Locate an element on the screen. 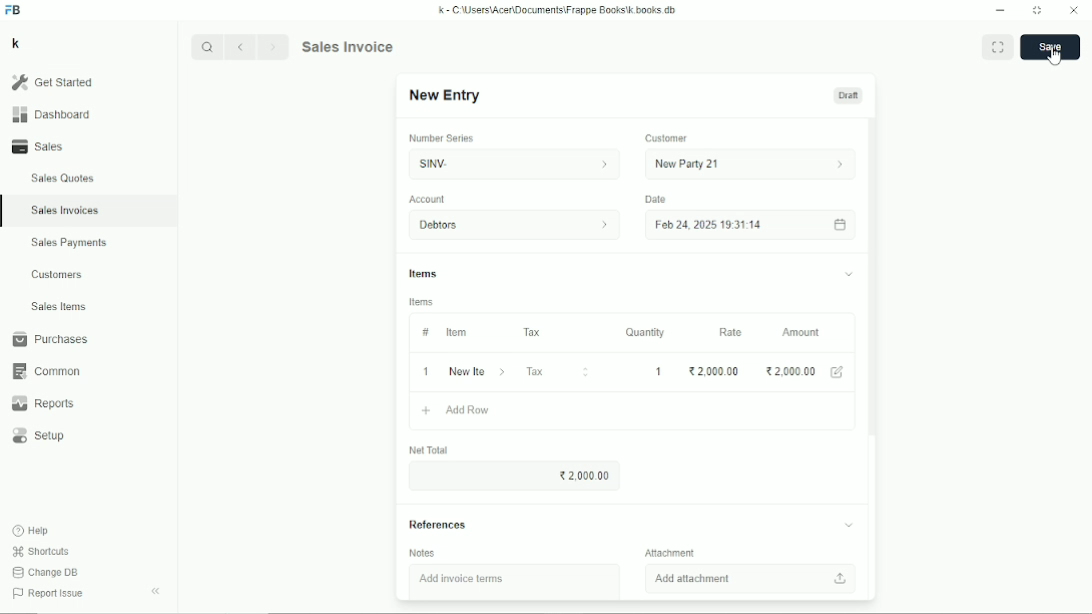  Customers is located at coordinates (58, 274).